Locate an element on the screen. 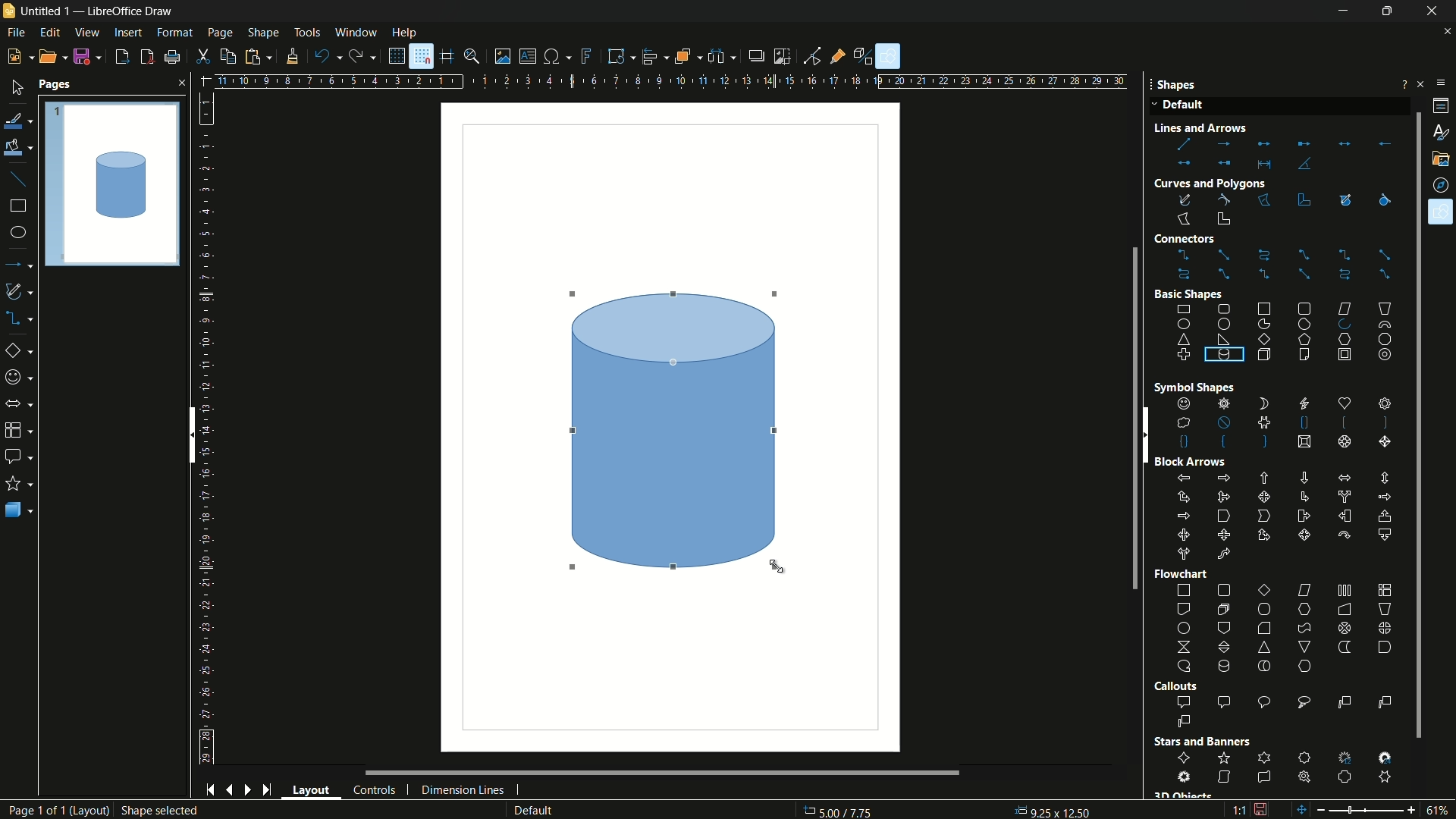  stars and banners is located at coordinates (20, 483).